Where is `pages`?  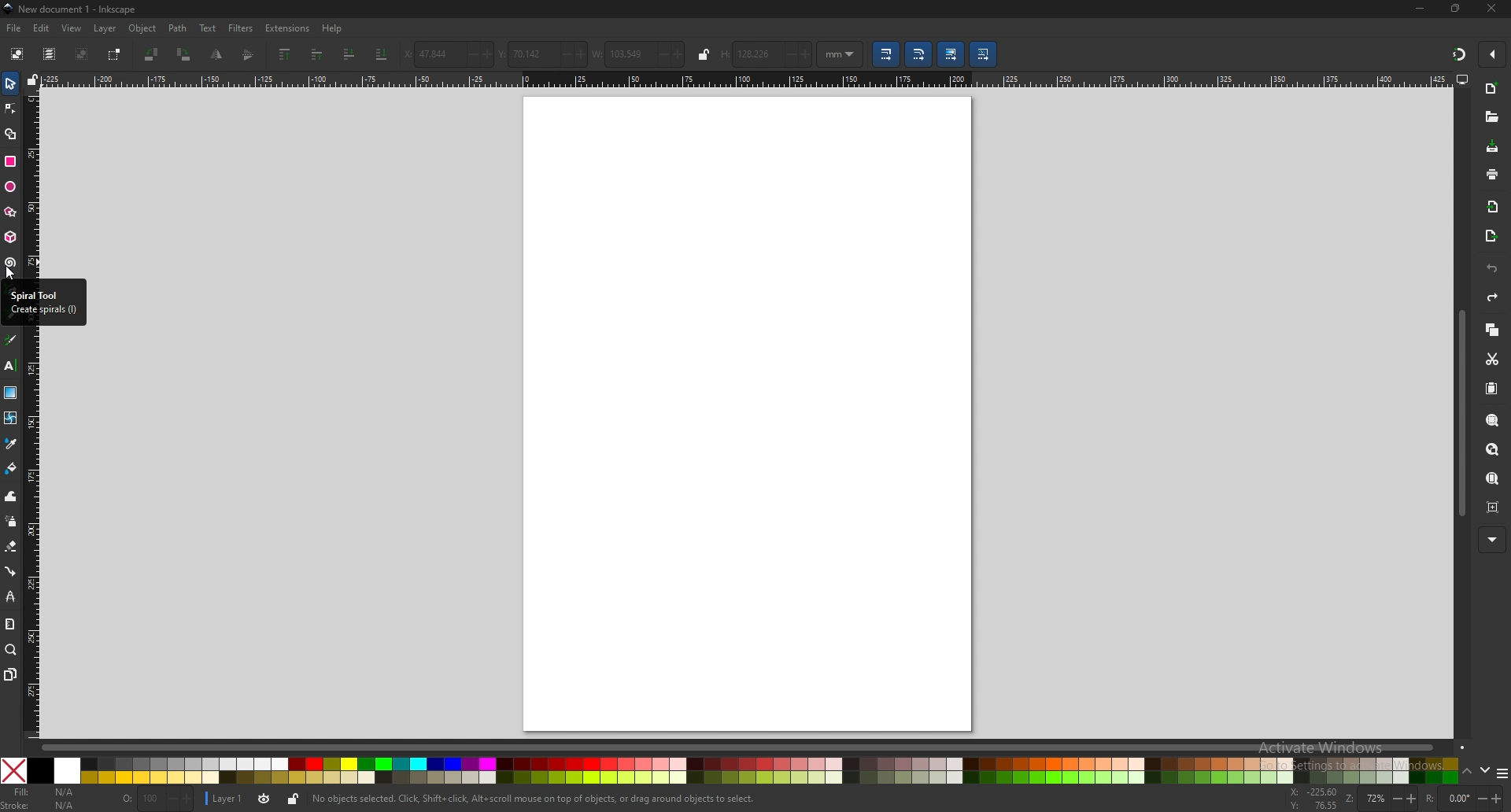
pages is located at coordinates (11, 674).